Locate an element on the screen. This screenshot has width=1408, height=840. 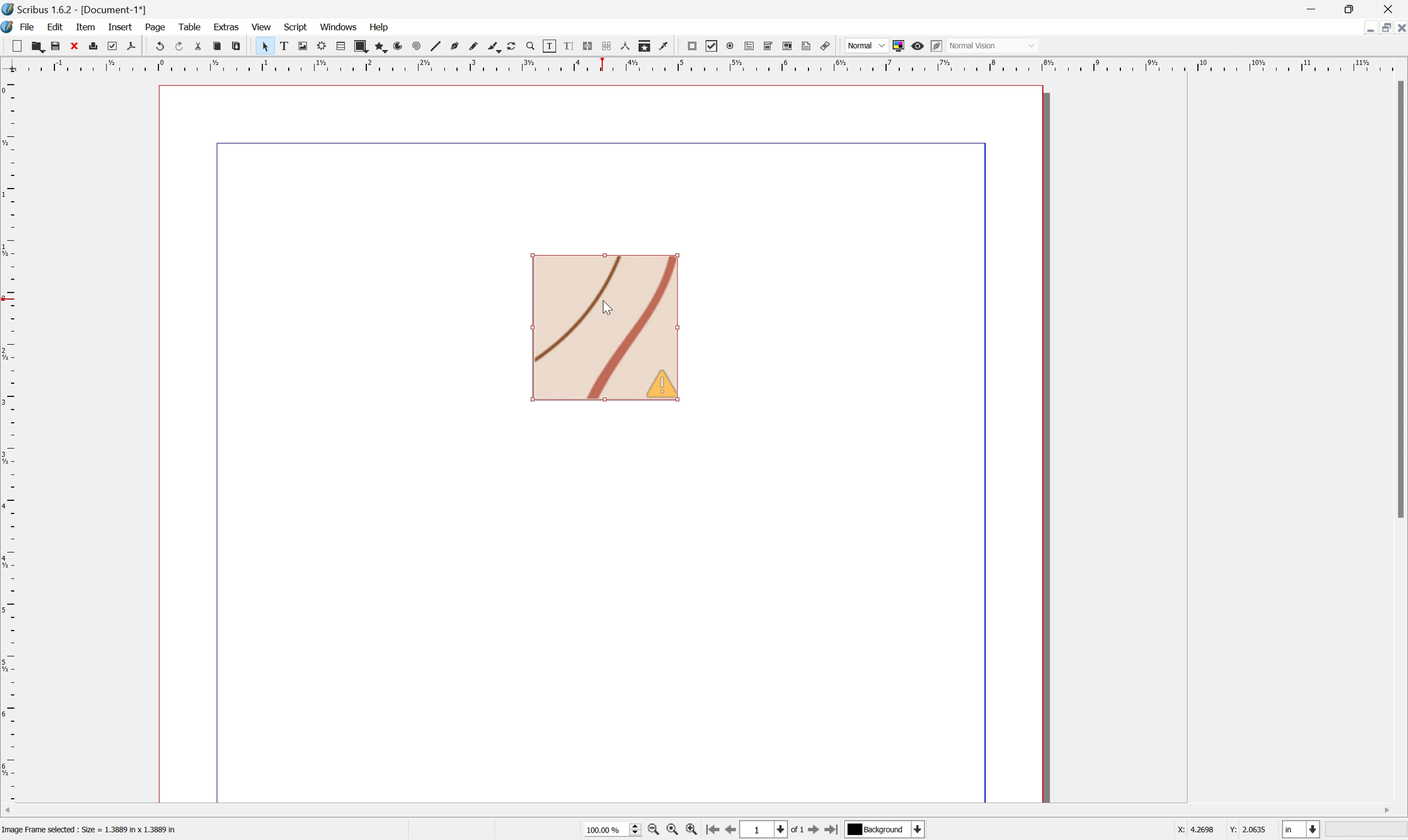
Toggle color management system is located at coordinates (901, 45).